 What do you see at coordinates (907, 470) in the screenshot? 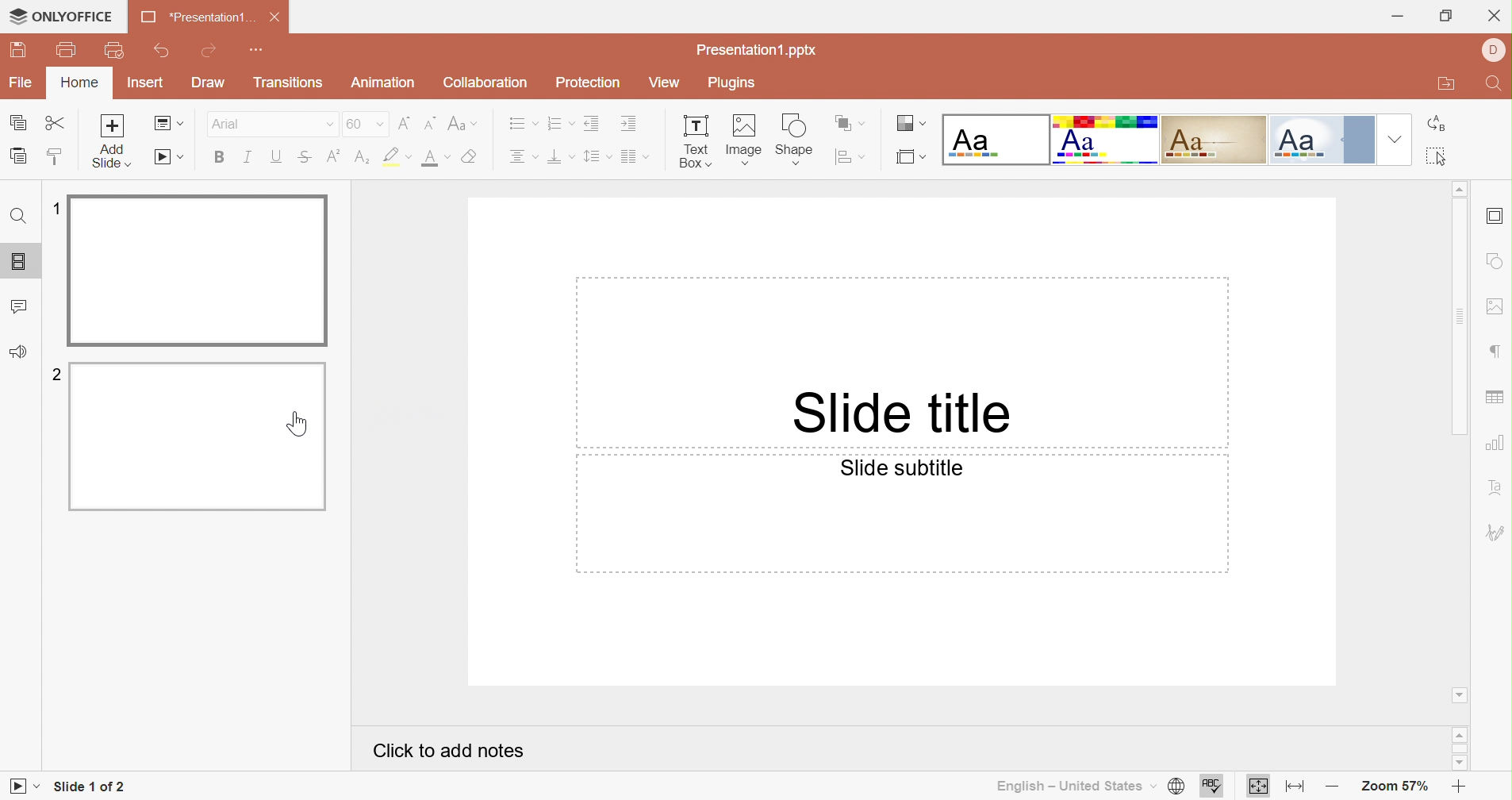
I see `slide subtitle` at bounding box center [907, 470].